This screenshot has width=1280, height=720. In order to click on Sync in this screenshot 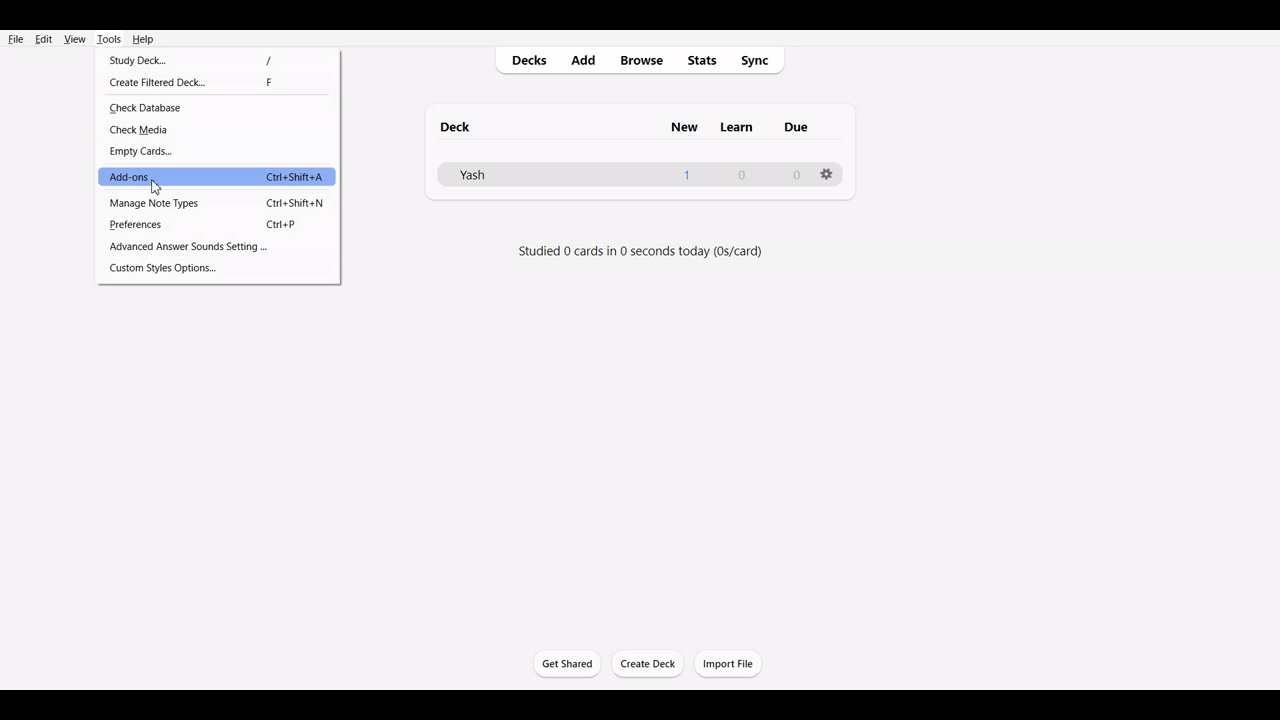, I will do `click(761, 60)`.